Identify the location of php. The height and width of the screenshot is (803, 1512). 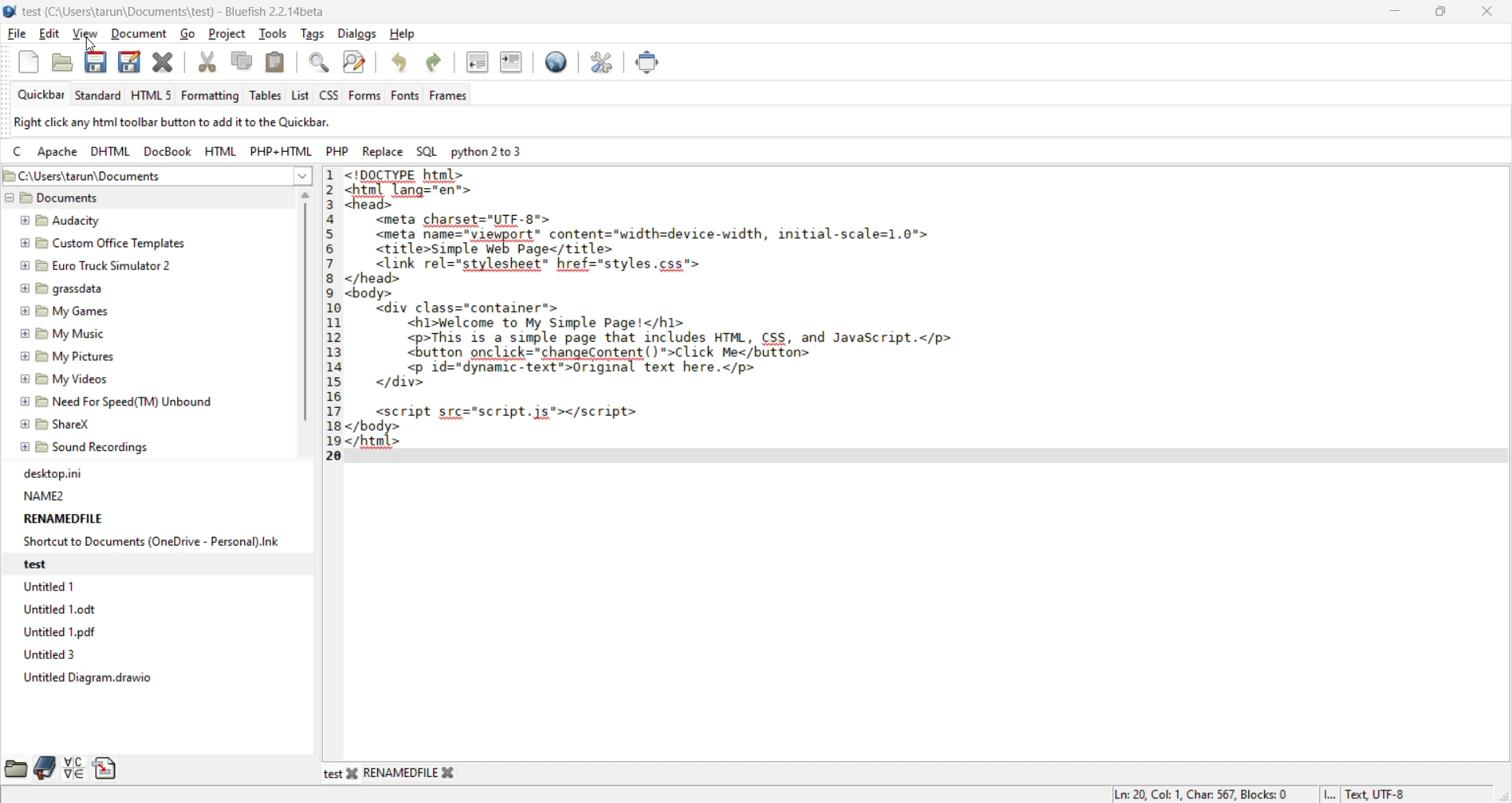
(339, 151).